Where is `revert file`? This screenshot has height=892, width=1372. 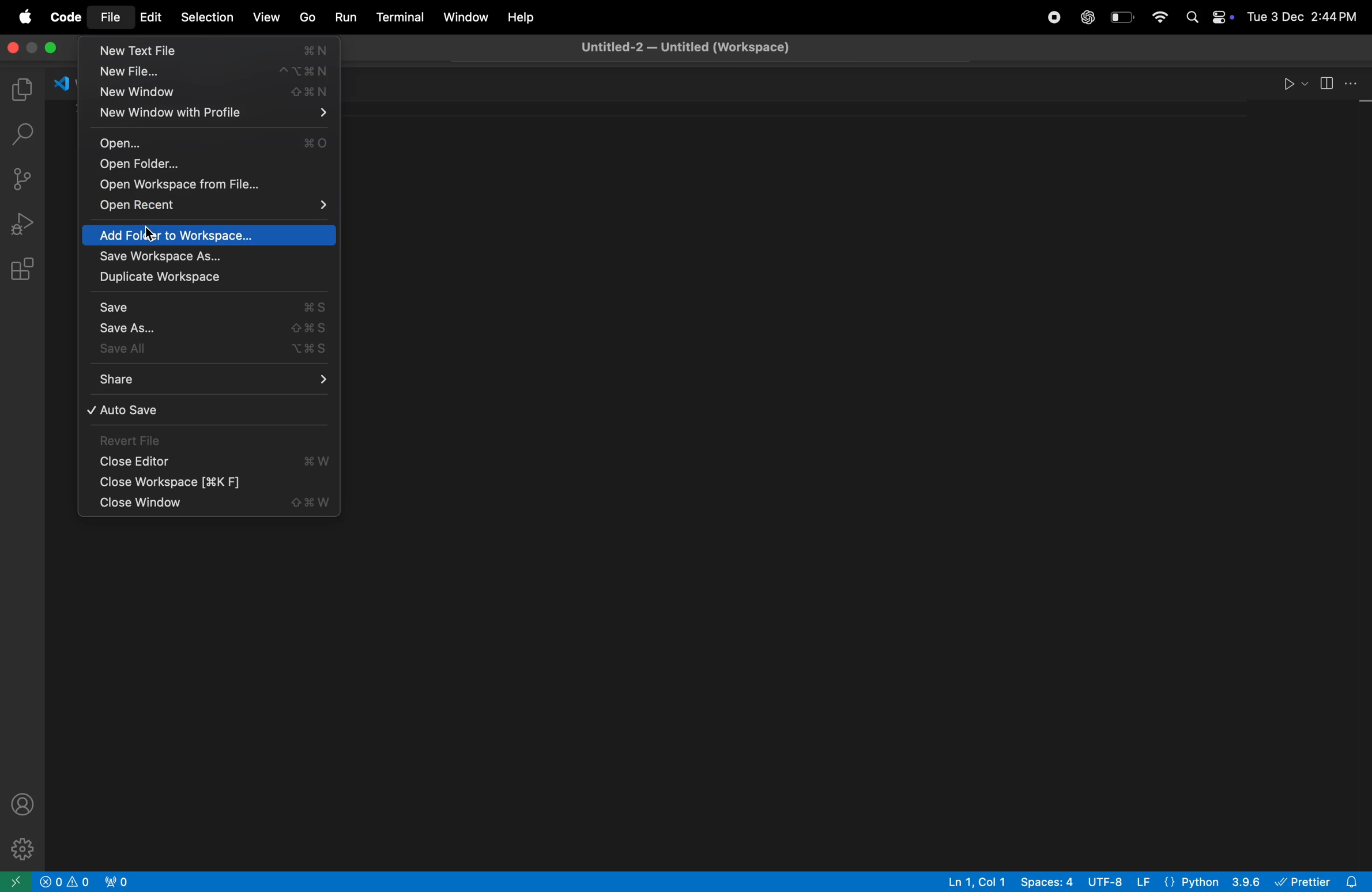
revert file is located at coordinates (212, 440).